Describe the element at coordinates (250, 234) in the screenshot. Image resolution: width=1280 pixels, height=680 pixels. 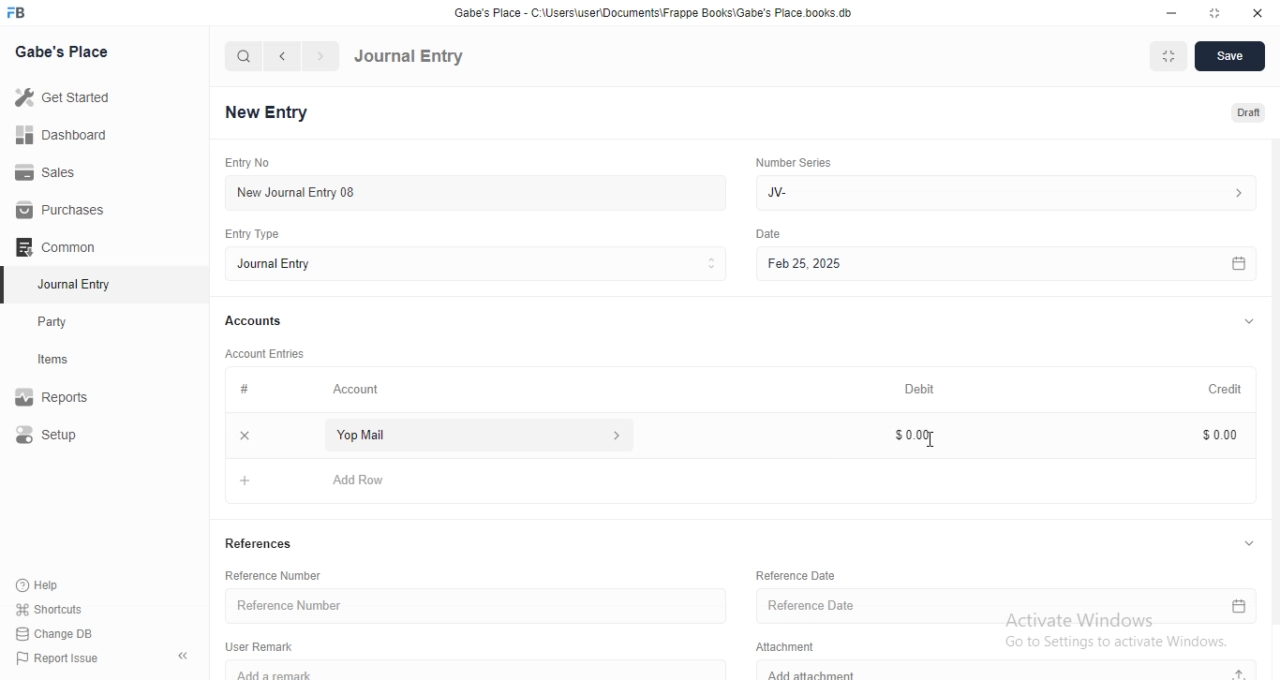
I see `Entry Type` at that location.